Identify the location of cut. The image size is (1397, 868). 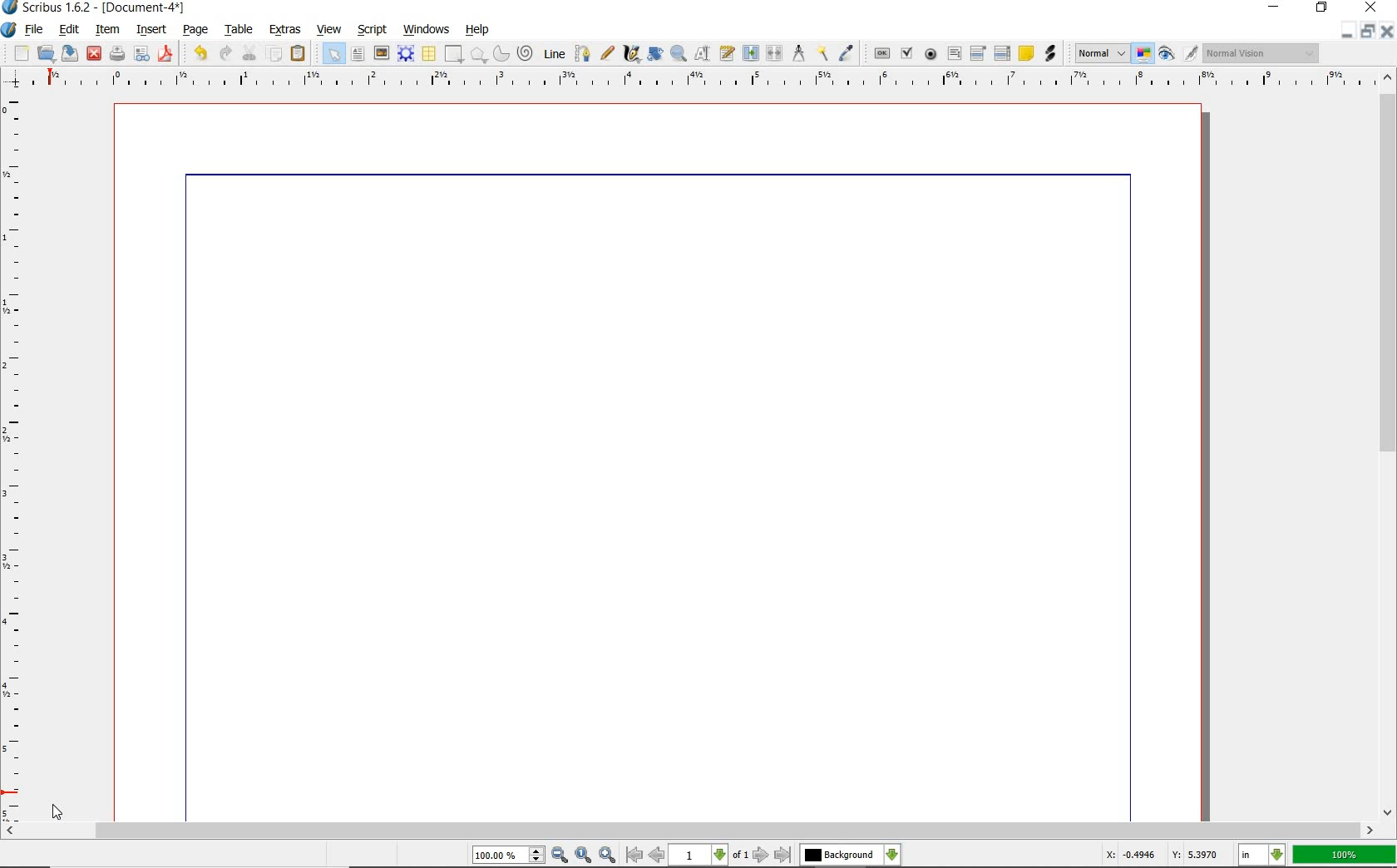
(249, 52).